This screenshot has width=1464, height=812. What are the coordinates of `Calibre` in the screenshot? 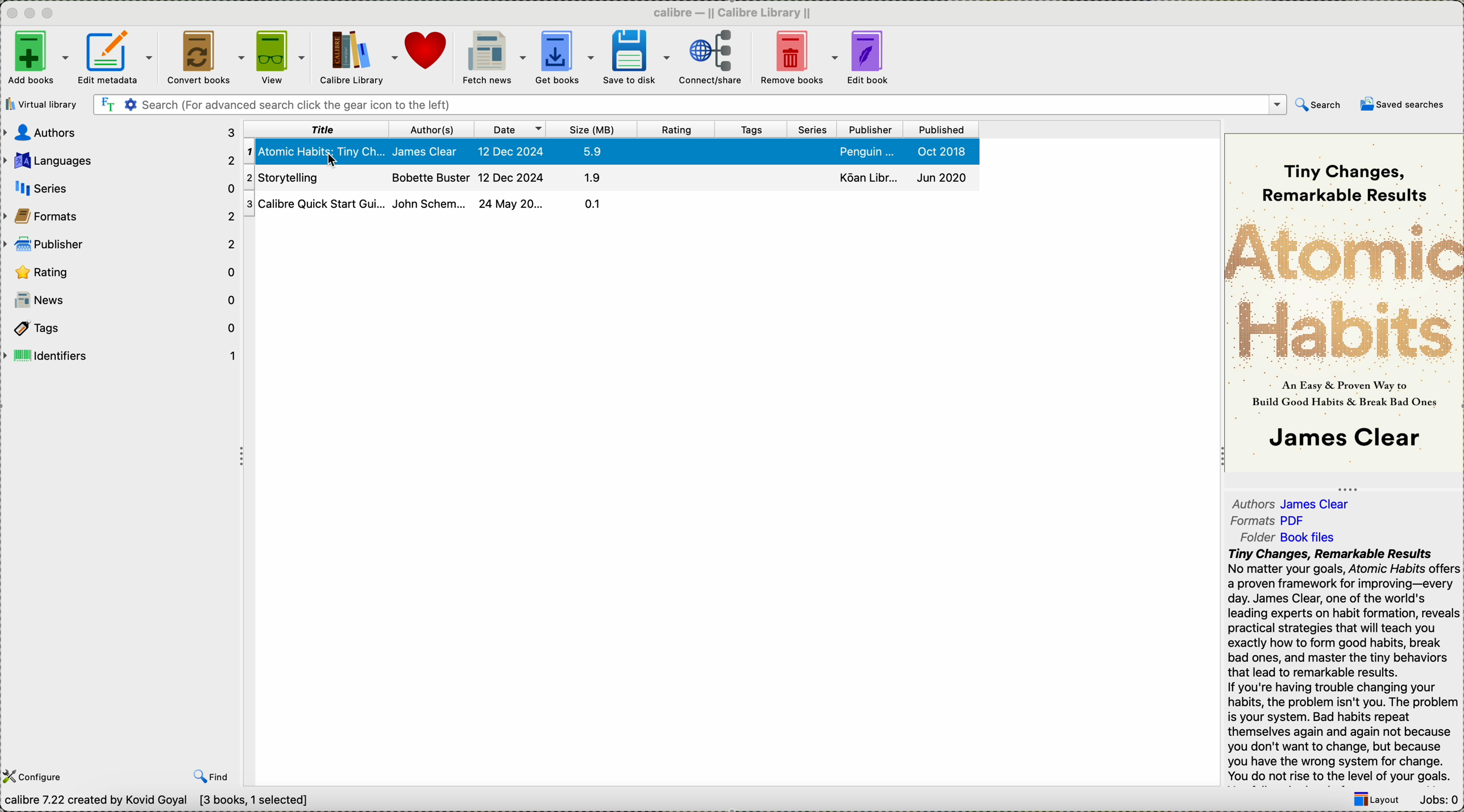 It's located at (737, 12).